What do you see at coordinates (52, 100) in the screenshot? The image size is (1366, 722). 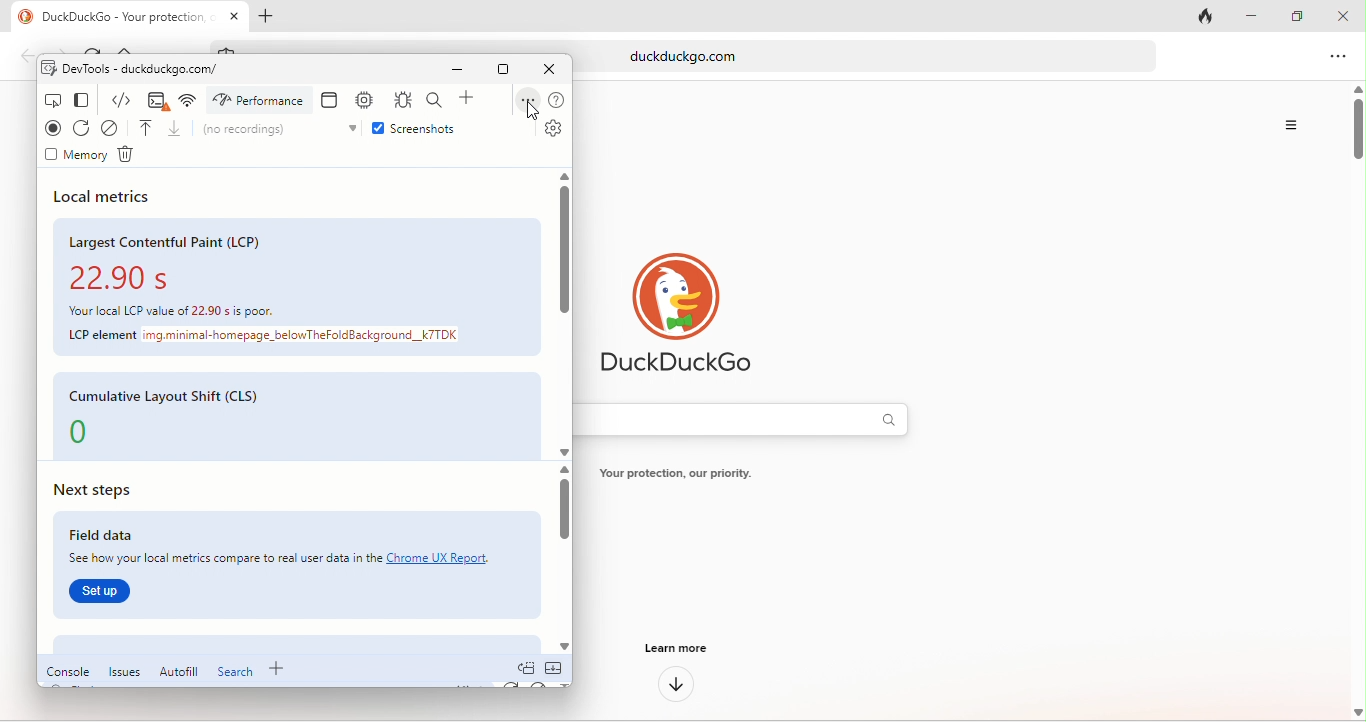 I see `inspect` at bounding box center [52, 100].